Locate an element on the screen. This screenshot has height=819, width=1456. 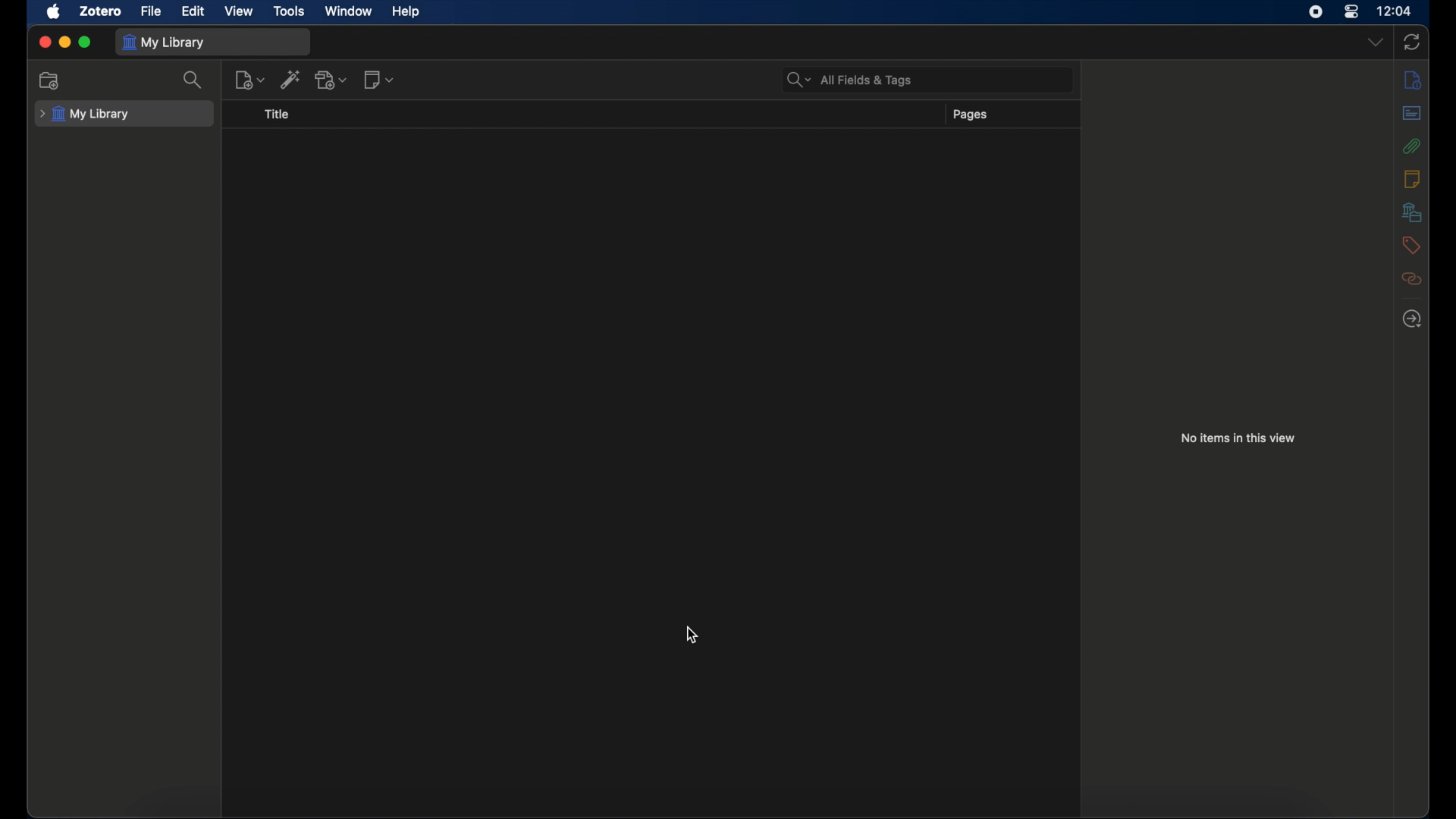
no items in this view is located at coordinates (1238, 438).